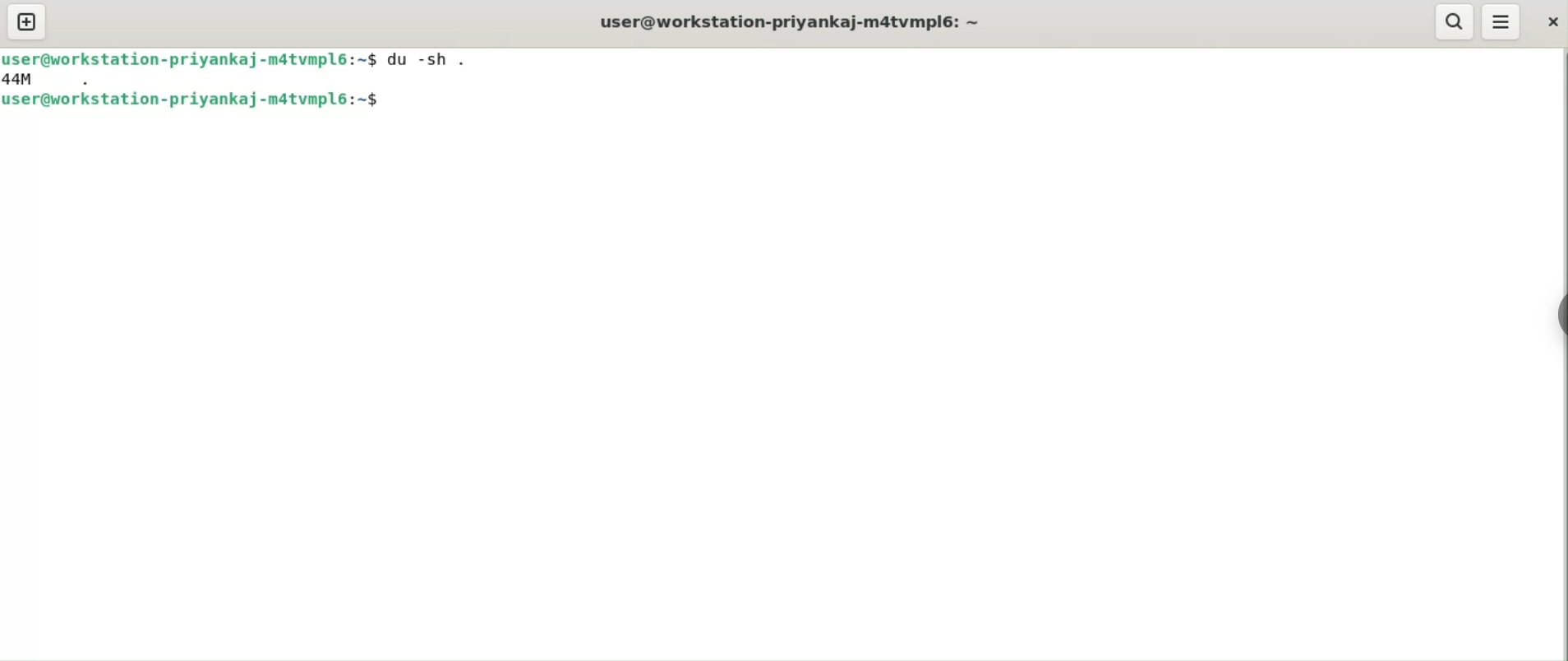 This screenshot has height=661, width=1568. Describe the element at coordinates (429, 59) in the screenshot. I see `du -sh .` at that location.